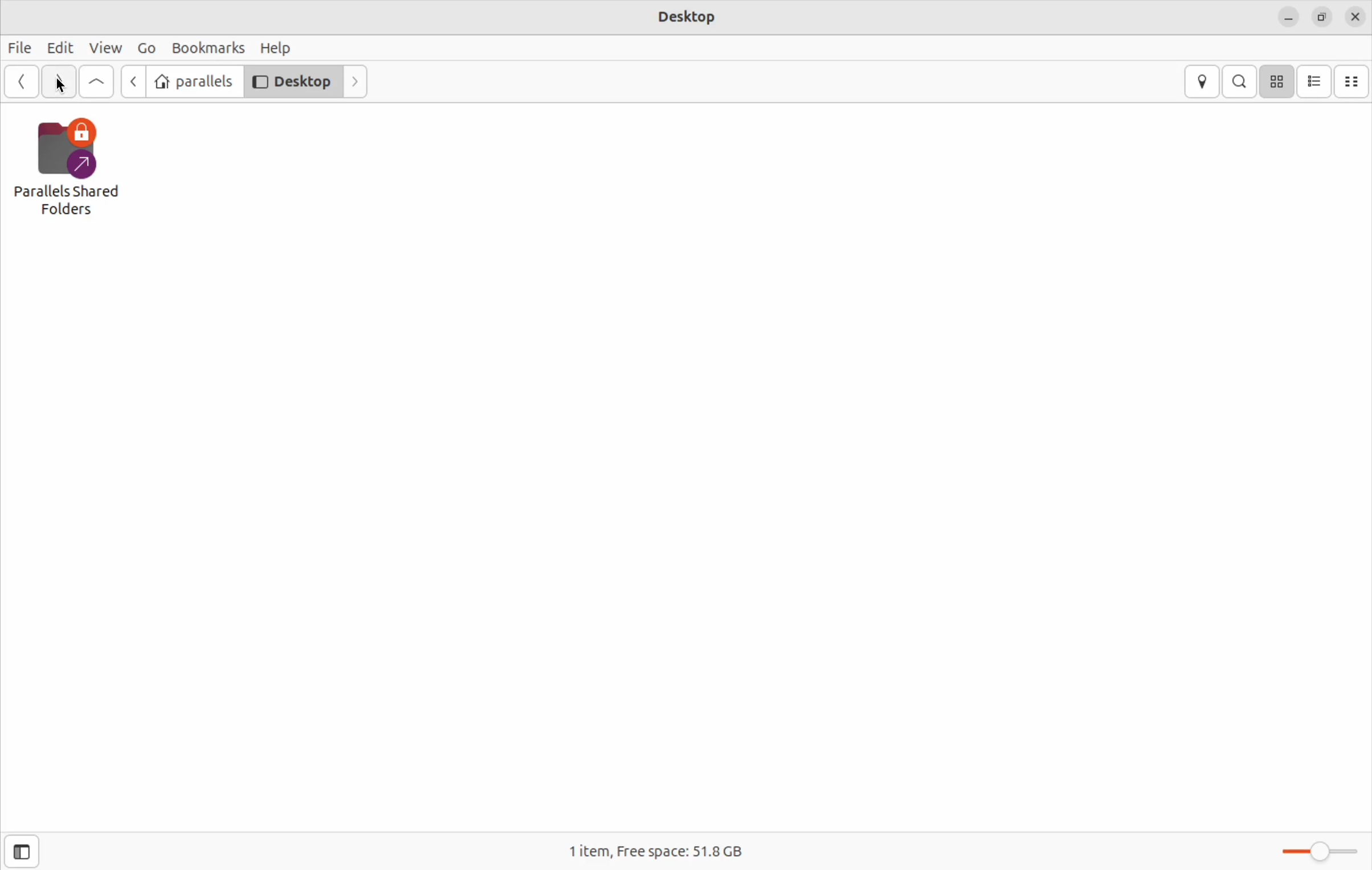  I want to click on files, so click(20, 48).